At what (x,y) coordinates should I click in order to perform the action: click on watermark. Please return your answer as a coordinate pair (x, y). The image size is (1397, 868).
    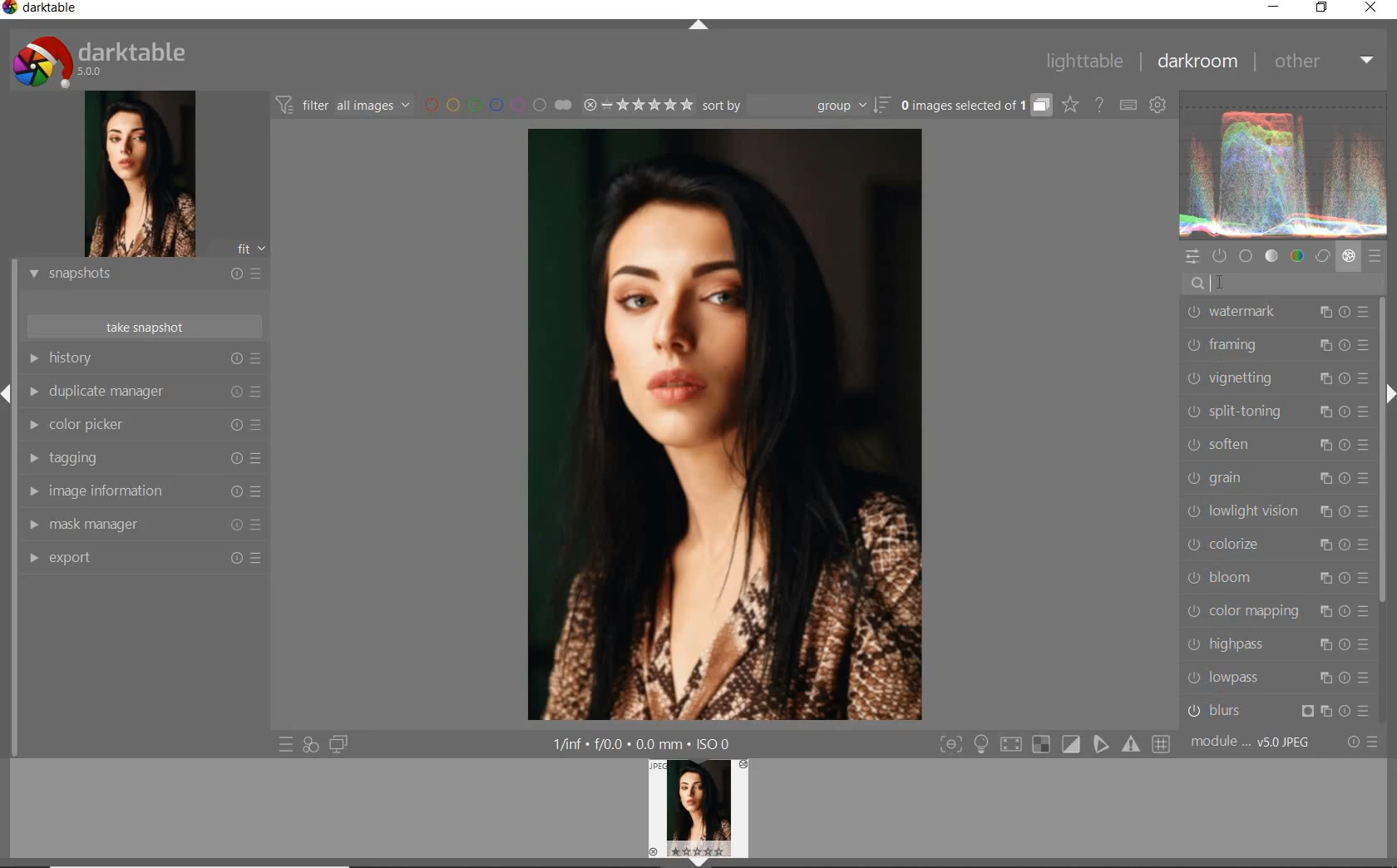
    Looking at the image, I should click on (1276, 313).